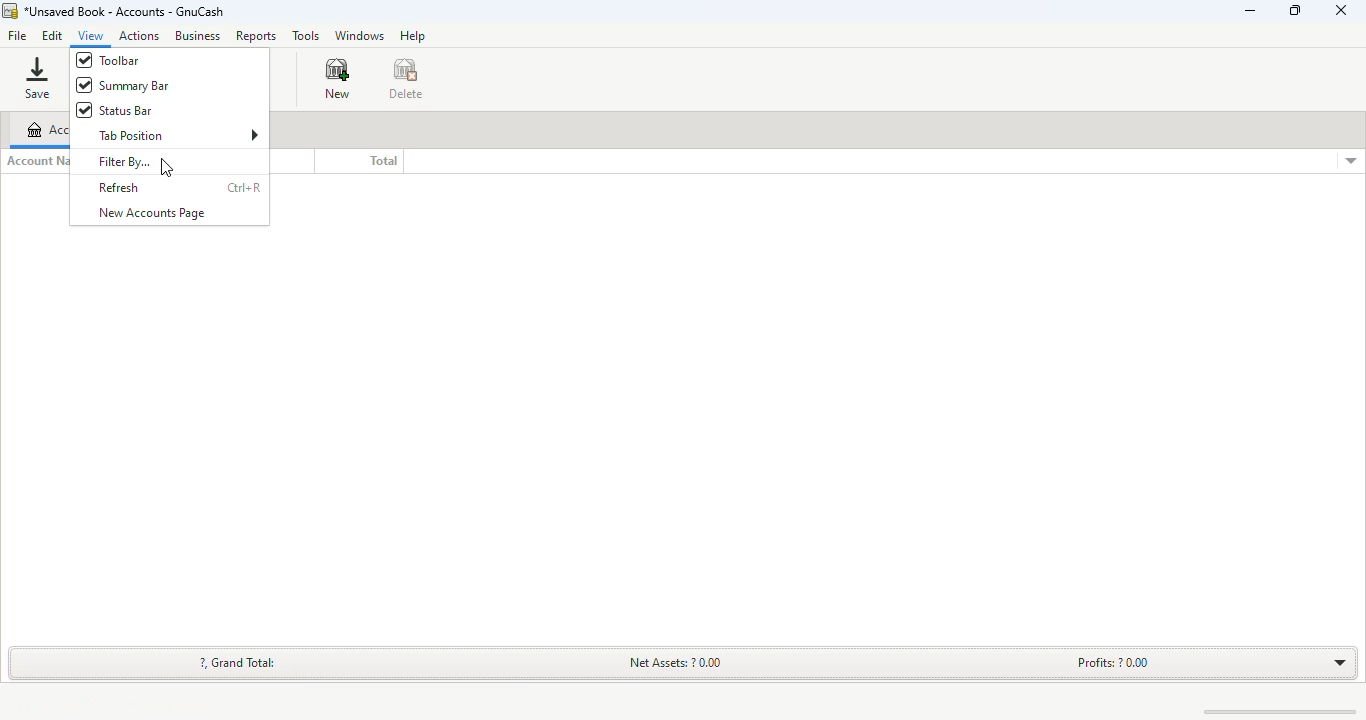 The width and height of the screenshot is (1366, 720). Describe the element at coordinates (677, 661) in the screenshot. I see `net assets: ? 0.00` at that location.